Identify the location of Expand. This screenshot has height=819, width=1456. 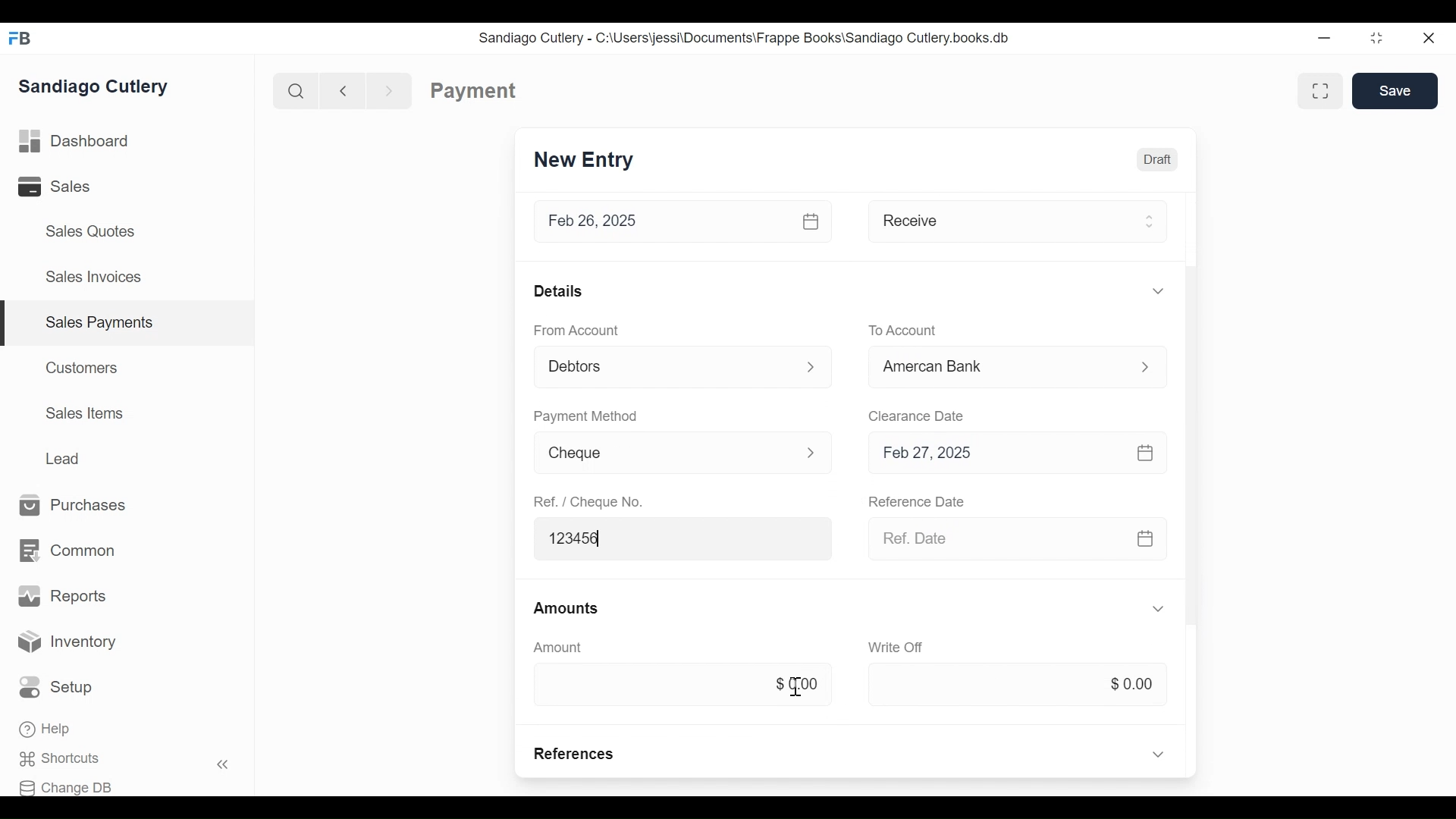
(812, 368).